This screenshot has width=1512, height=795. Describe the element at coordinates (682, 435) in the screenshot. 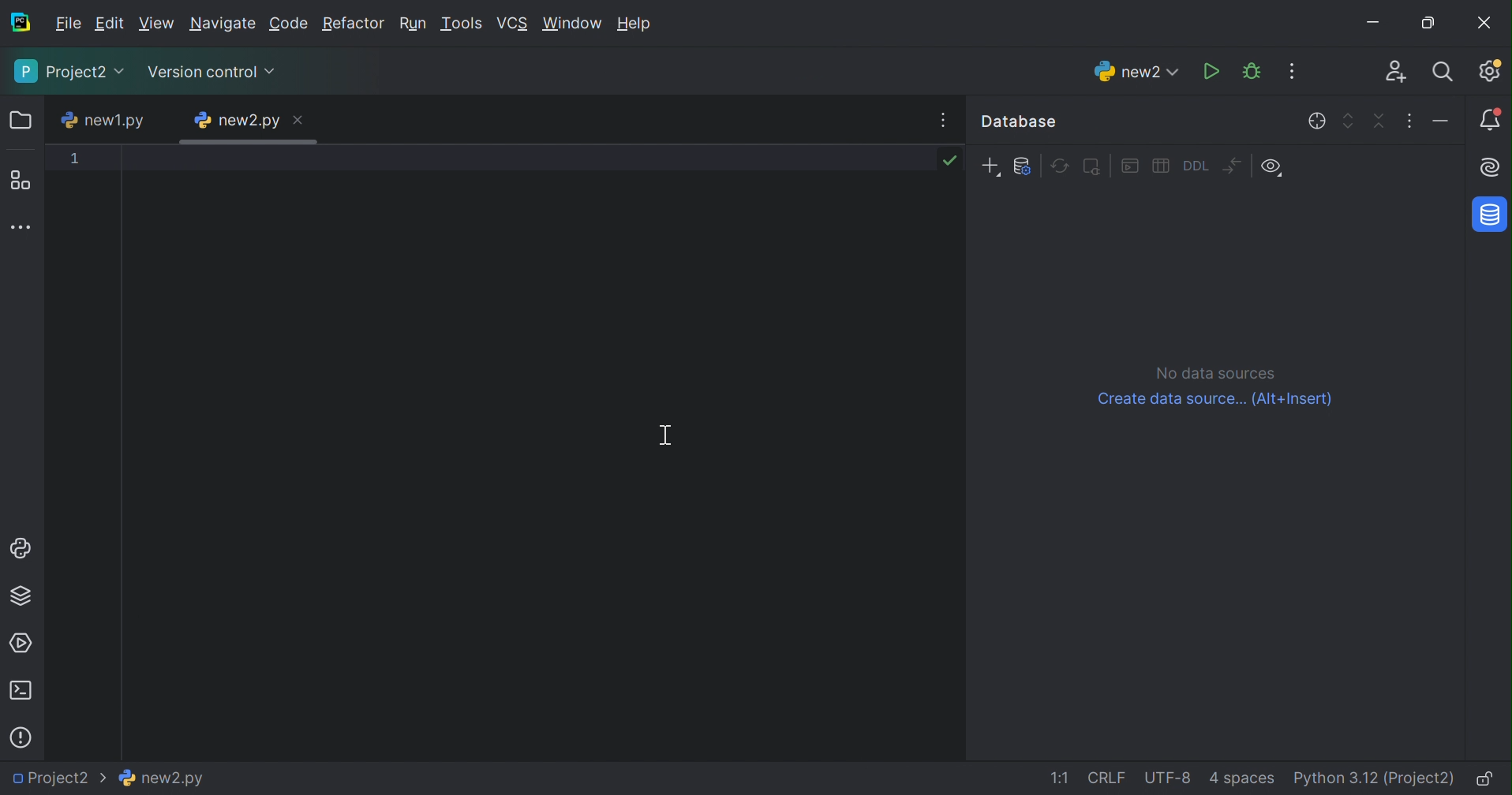

I see `Cursor` at that location.